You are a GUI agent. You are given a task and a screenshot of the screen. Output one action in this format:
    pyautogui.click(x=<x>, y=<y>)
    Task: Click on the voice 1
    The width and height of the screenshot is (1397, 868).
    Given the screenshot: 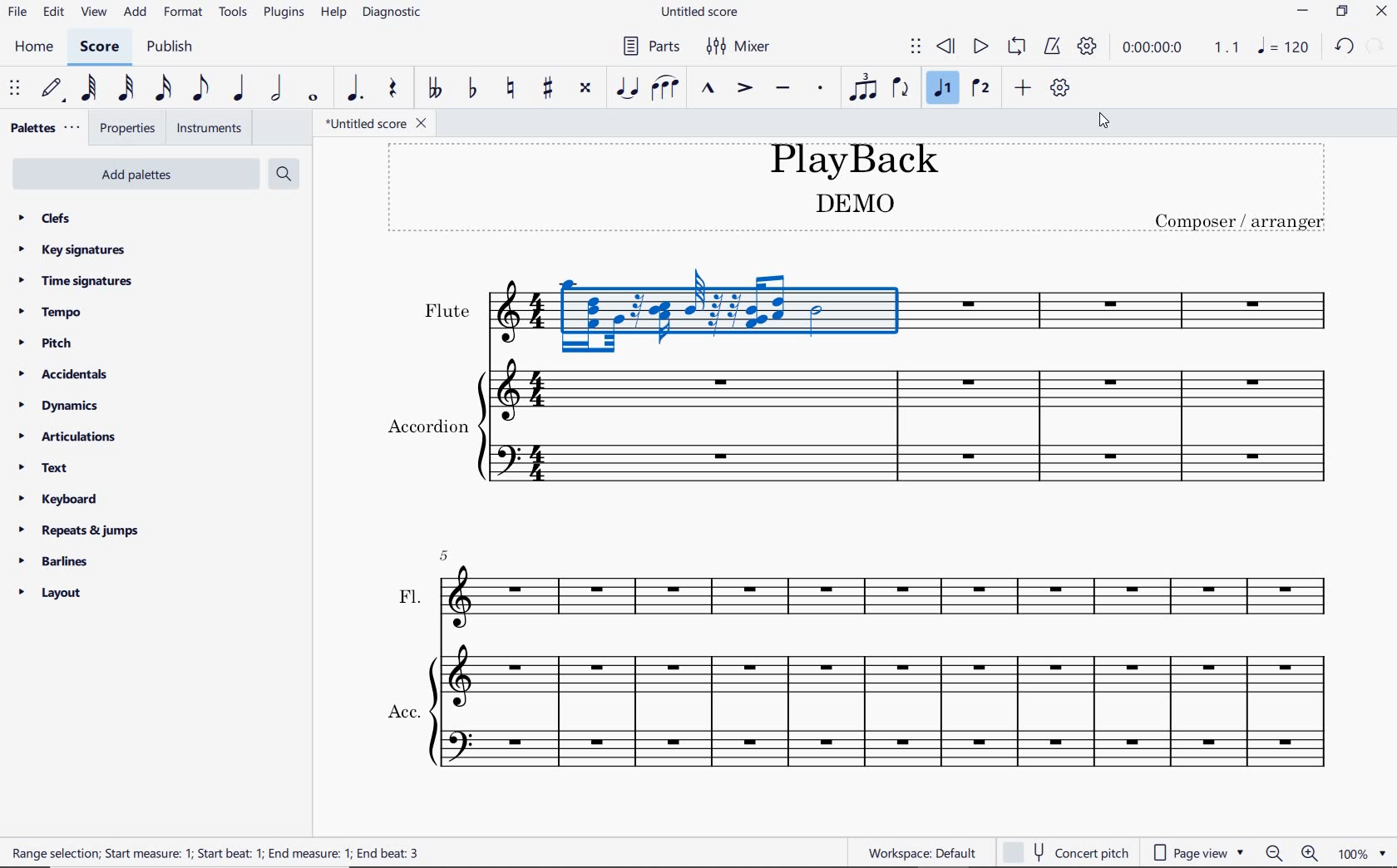 What is the action you would take?
    pyautogui.click(x=941, y=87)
    